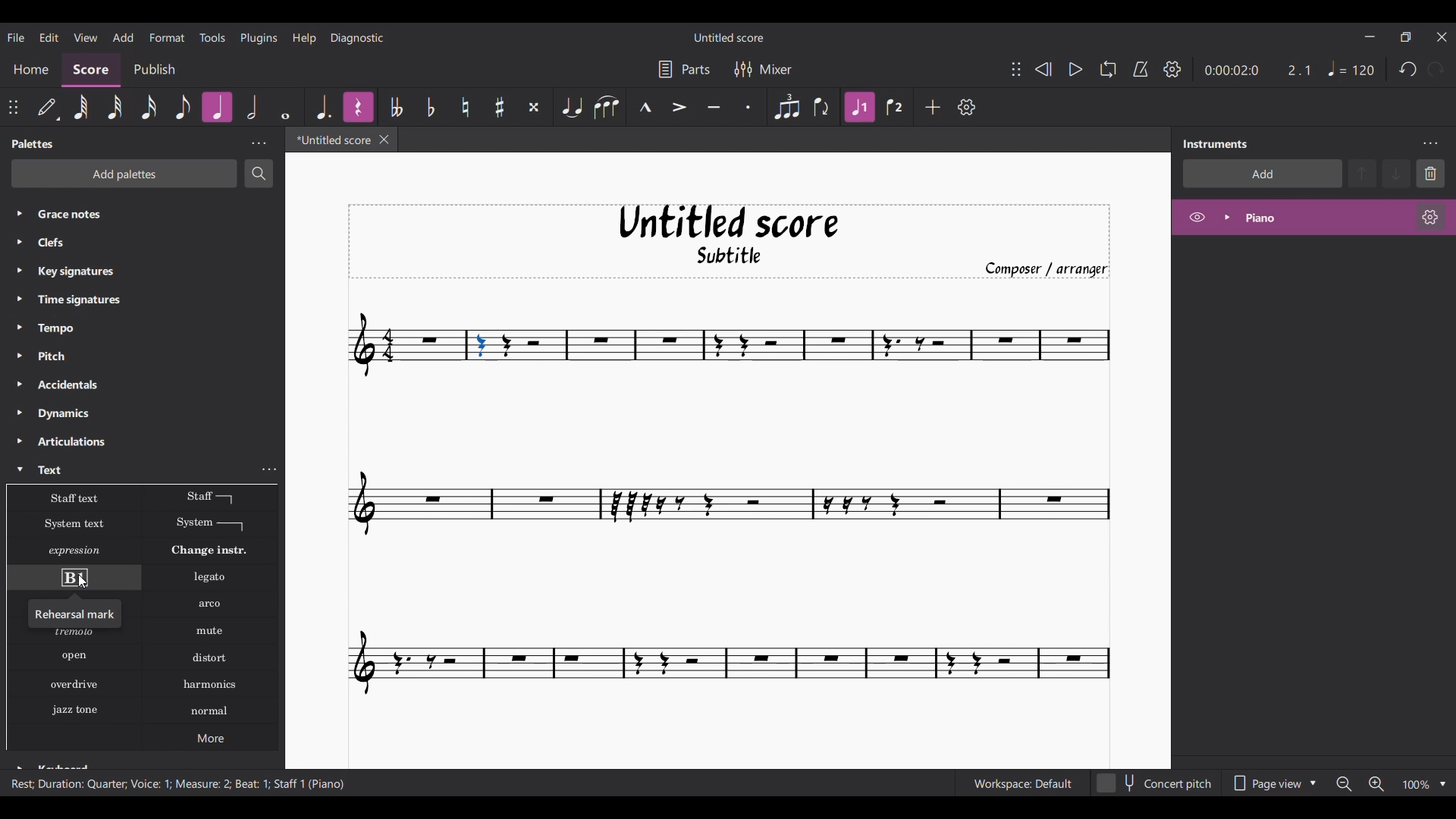 Image resolution: width=1456 pixels, height=819 pixels. What do you see at coordinates (90, 70) in the screenshot?
I see `Score section, current selection highlighted` at bounding box center [90, 70].